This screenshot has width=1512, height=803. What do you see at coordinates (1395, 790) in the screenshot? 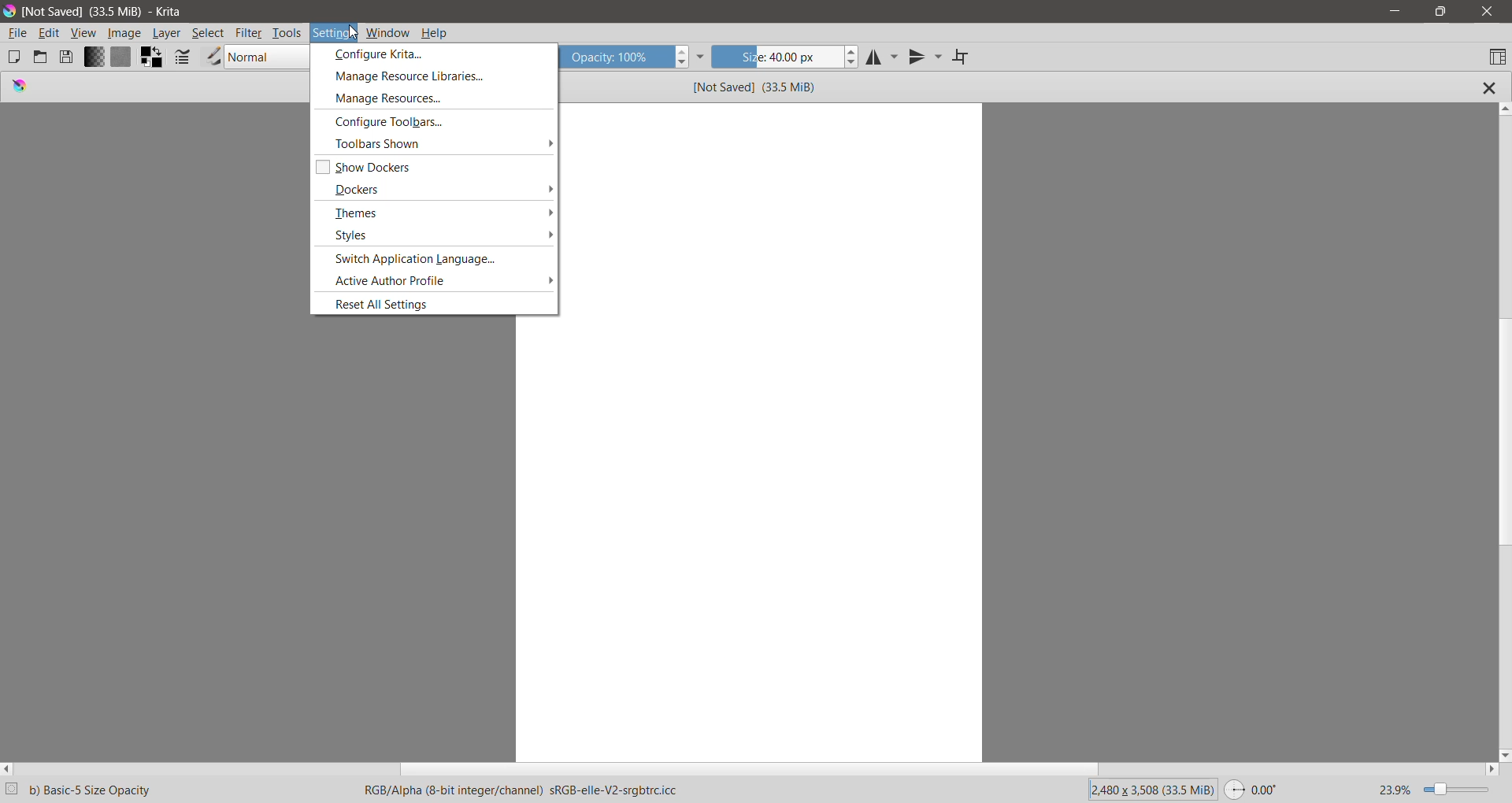
I see `23.9%` at bounding box center [1395, 790].